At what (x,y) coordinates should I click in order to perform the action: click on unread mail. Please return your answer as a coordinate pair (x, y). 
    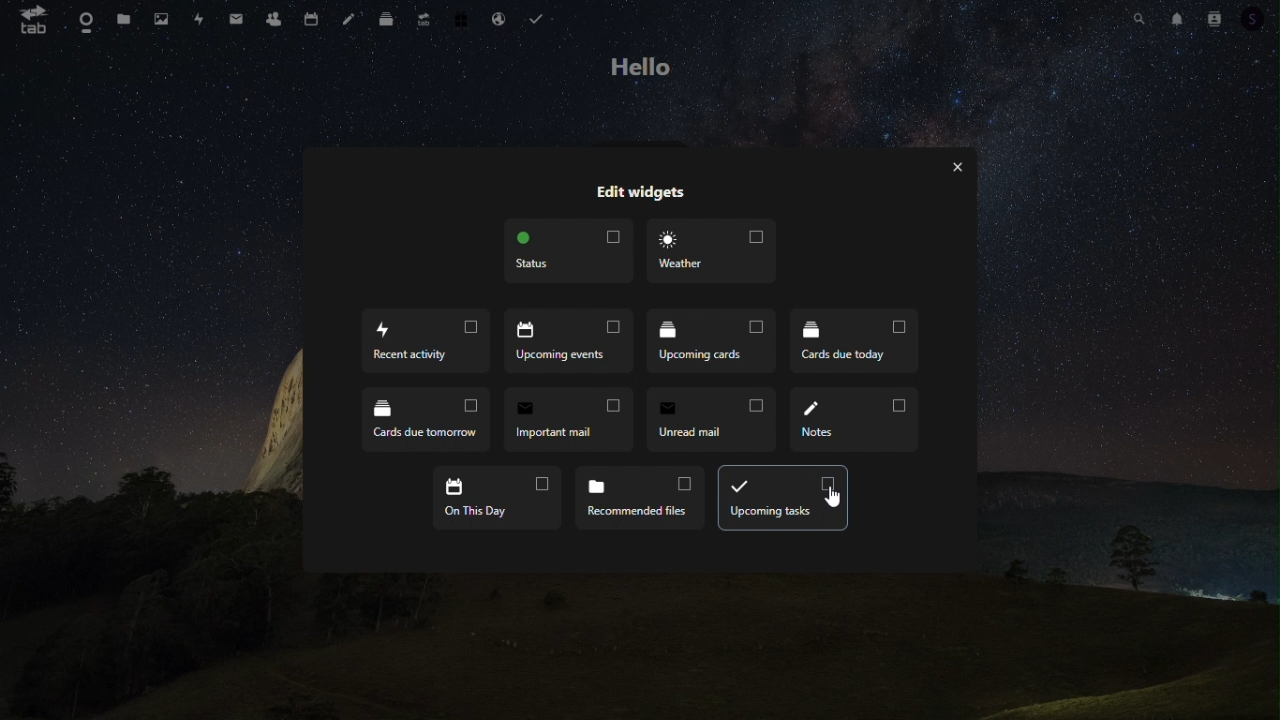
    Looking at the image, I should click on (714, 418).